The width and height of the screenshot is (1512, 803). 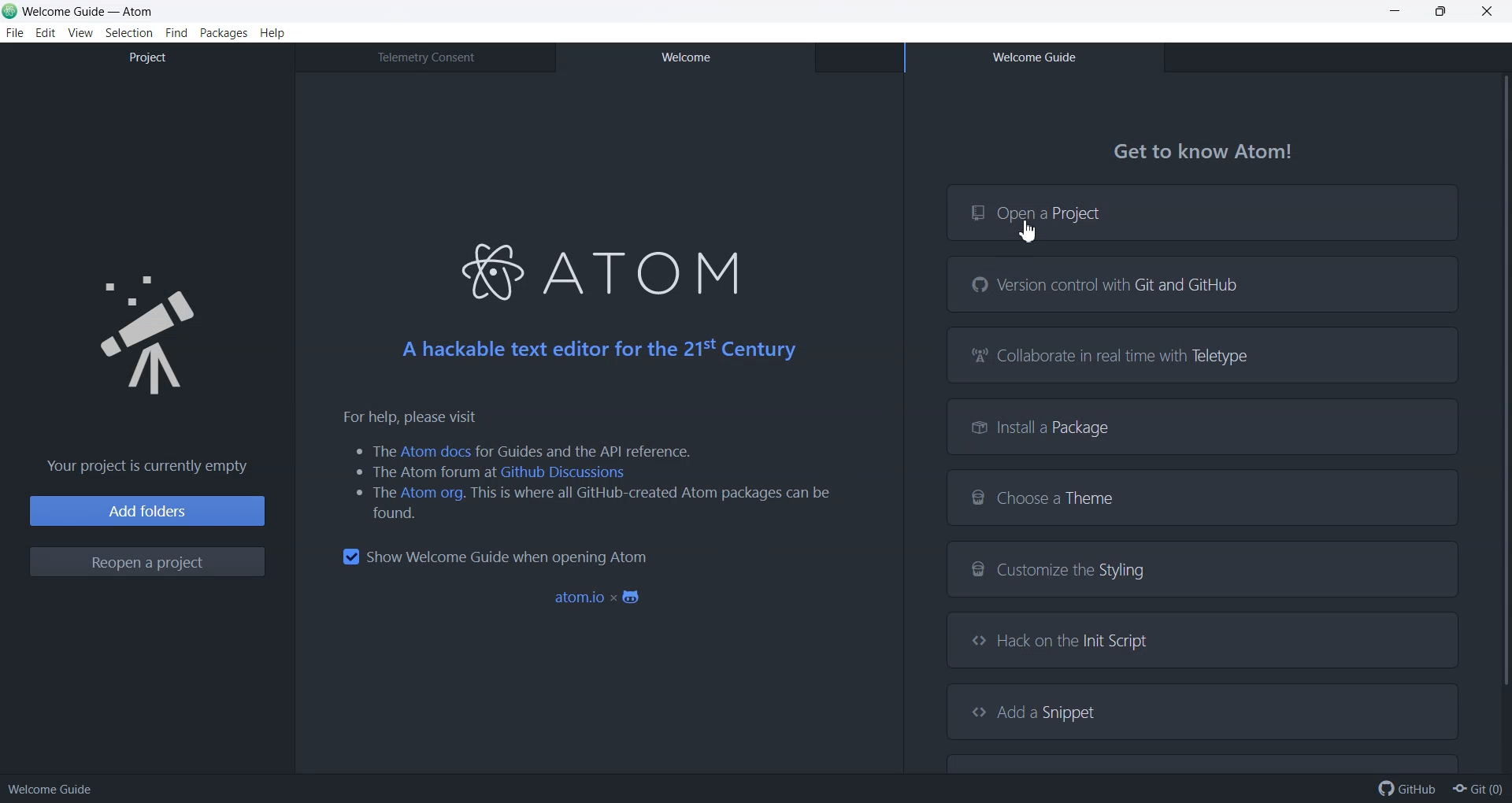 I want to click on Welcome guide, so click(x=50, y=789).